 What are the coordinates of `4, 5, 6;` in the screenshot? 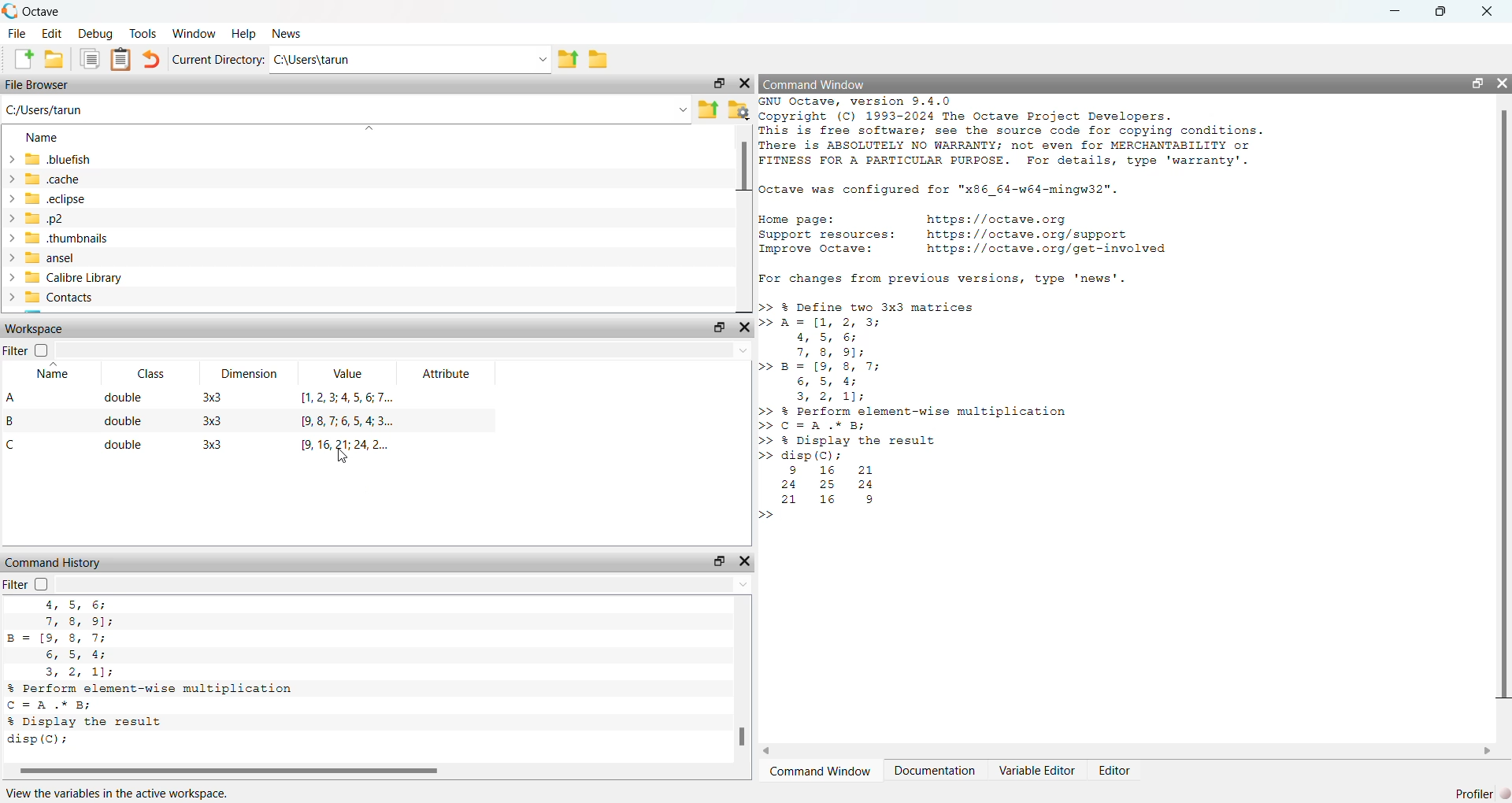 It's located at (72, 605).